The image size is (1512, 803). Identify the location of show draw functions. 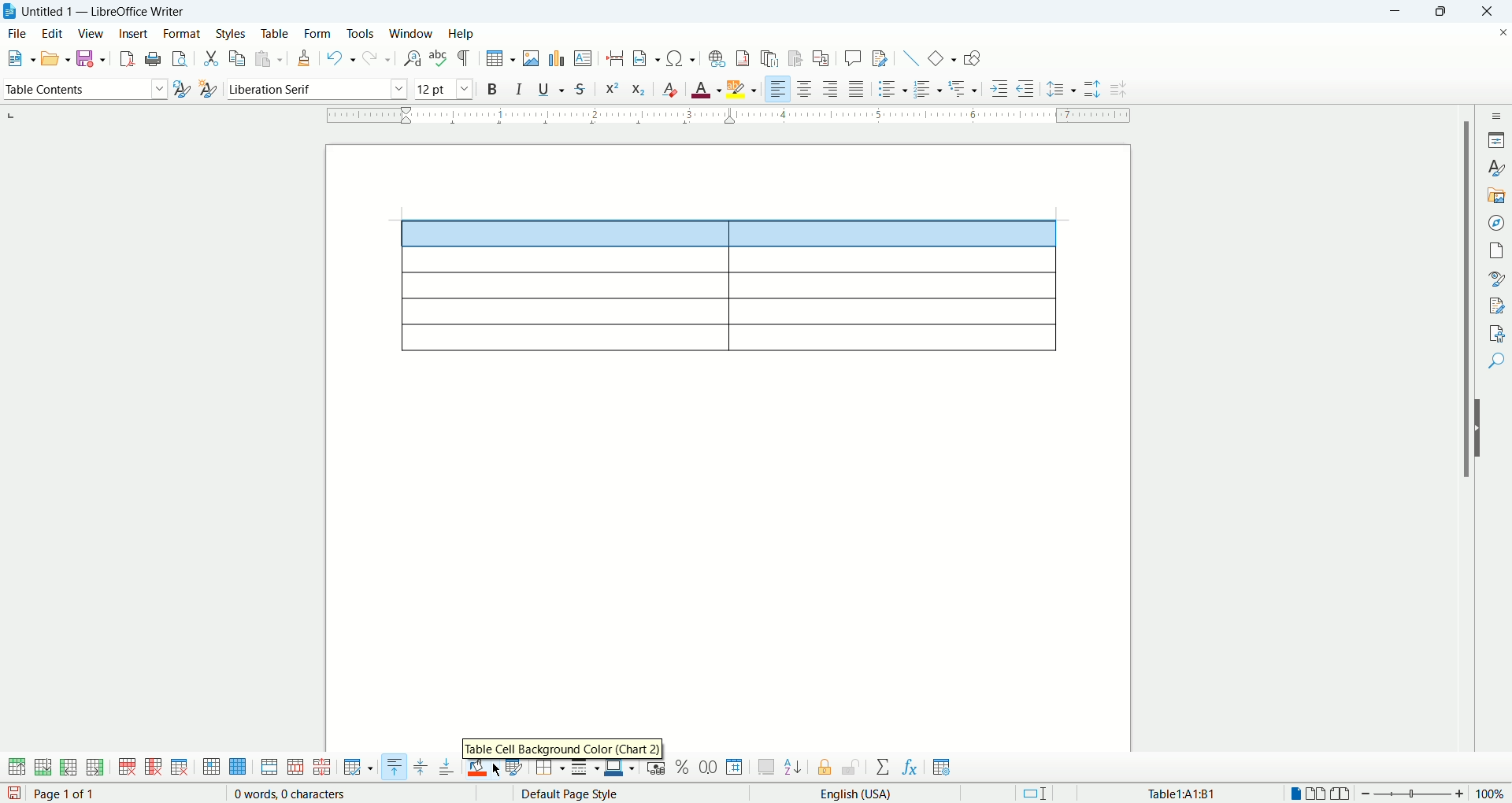
(973, 57).